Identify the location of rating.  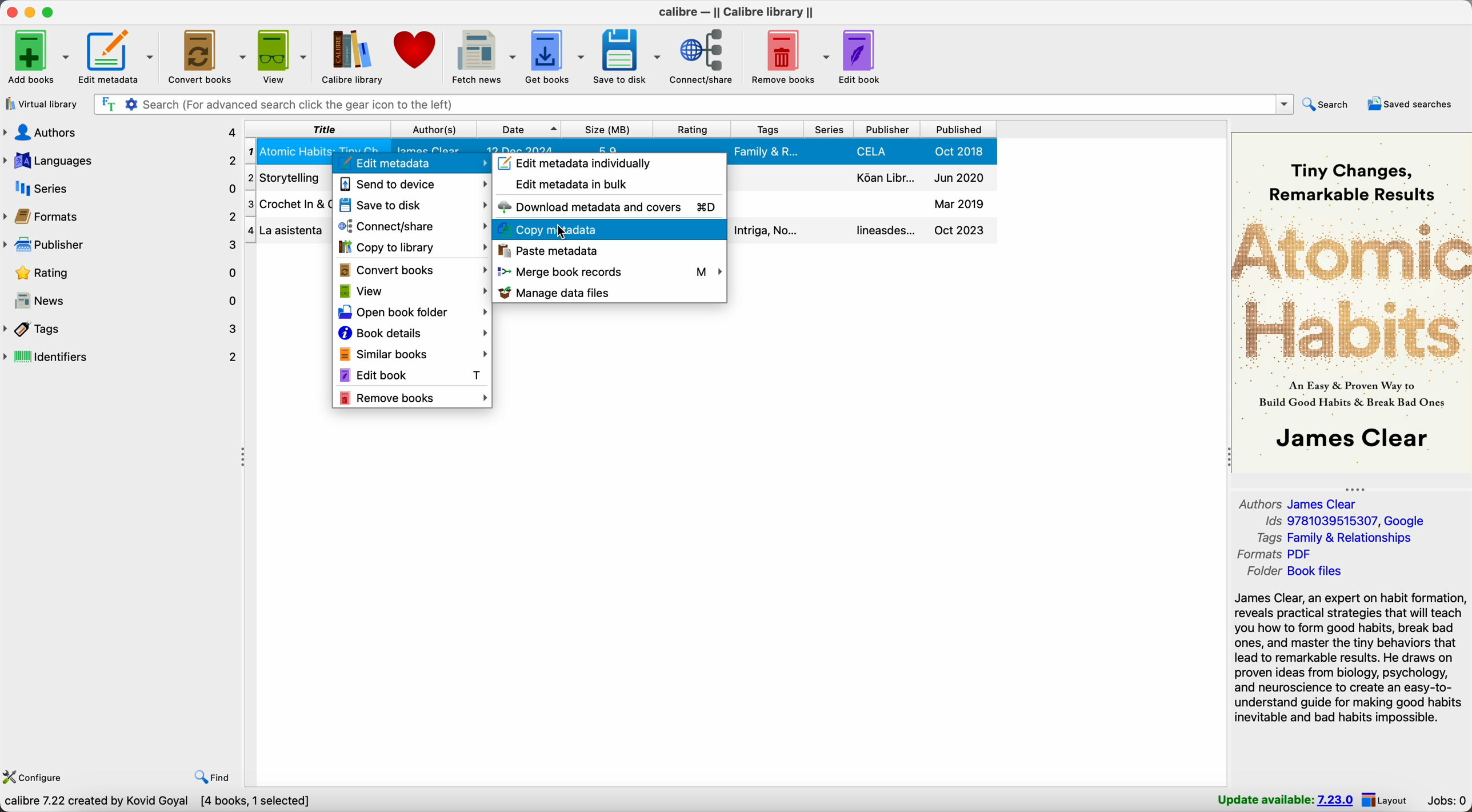
(121, 274).